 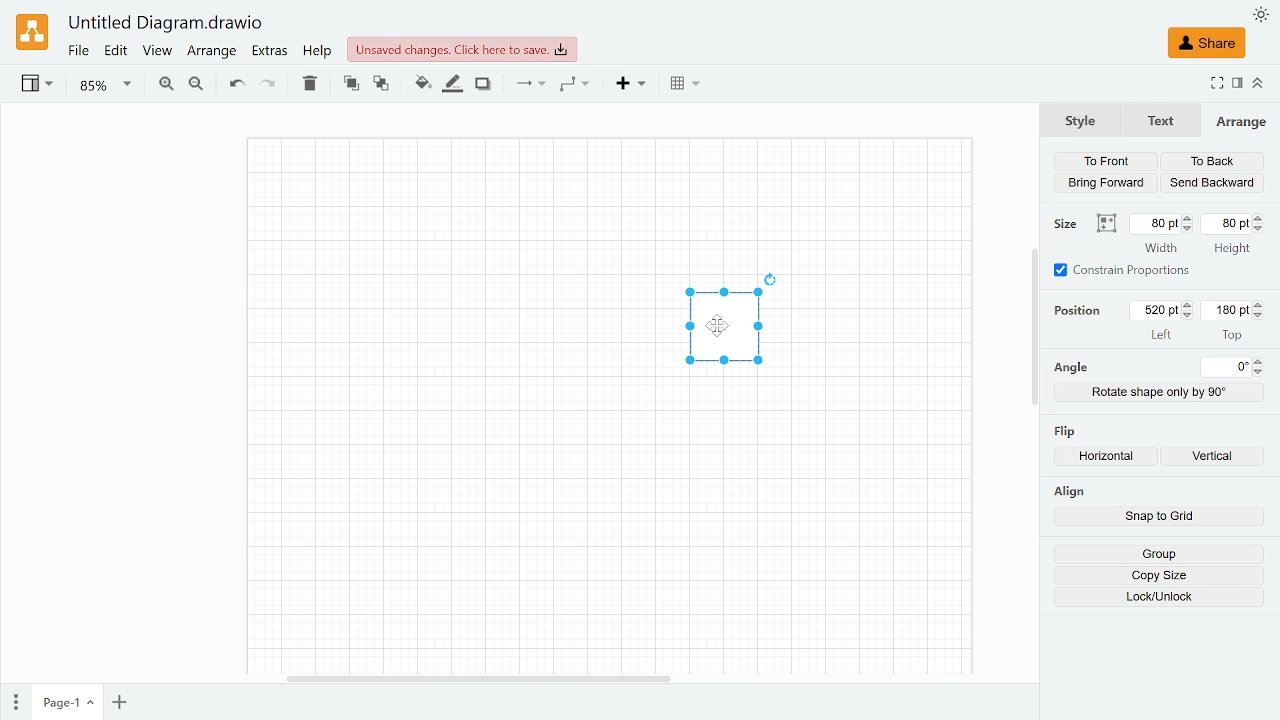 I want to click on Share, so click(x=1206, y=43).